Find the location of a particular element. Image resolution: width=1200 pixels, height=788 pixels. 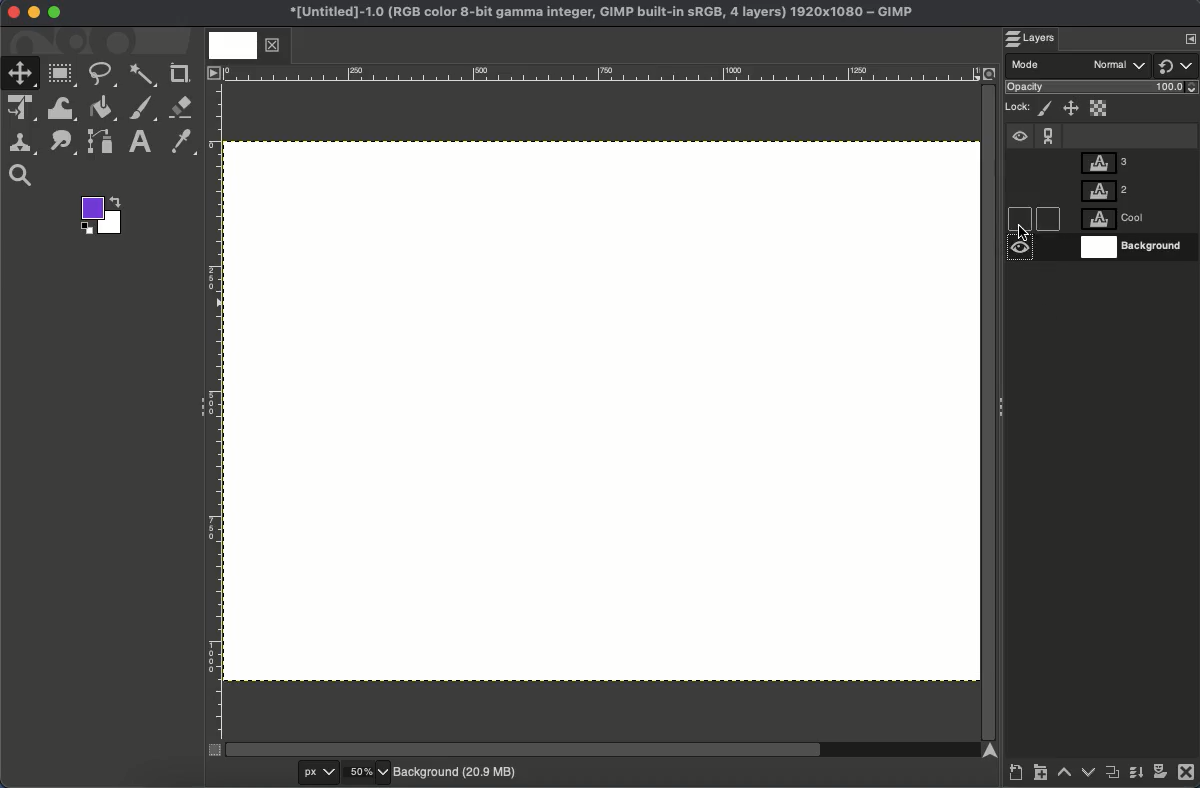

Background Visible is located at coordinates (602, 409).